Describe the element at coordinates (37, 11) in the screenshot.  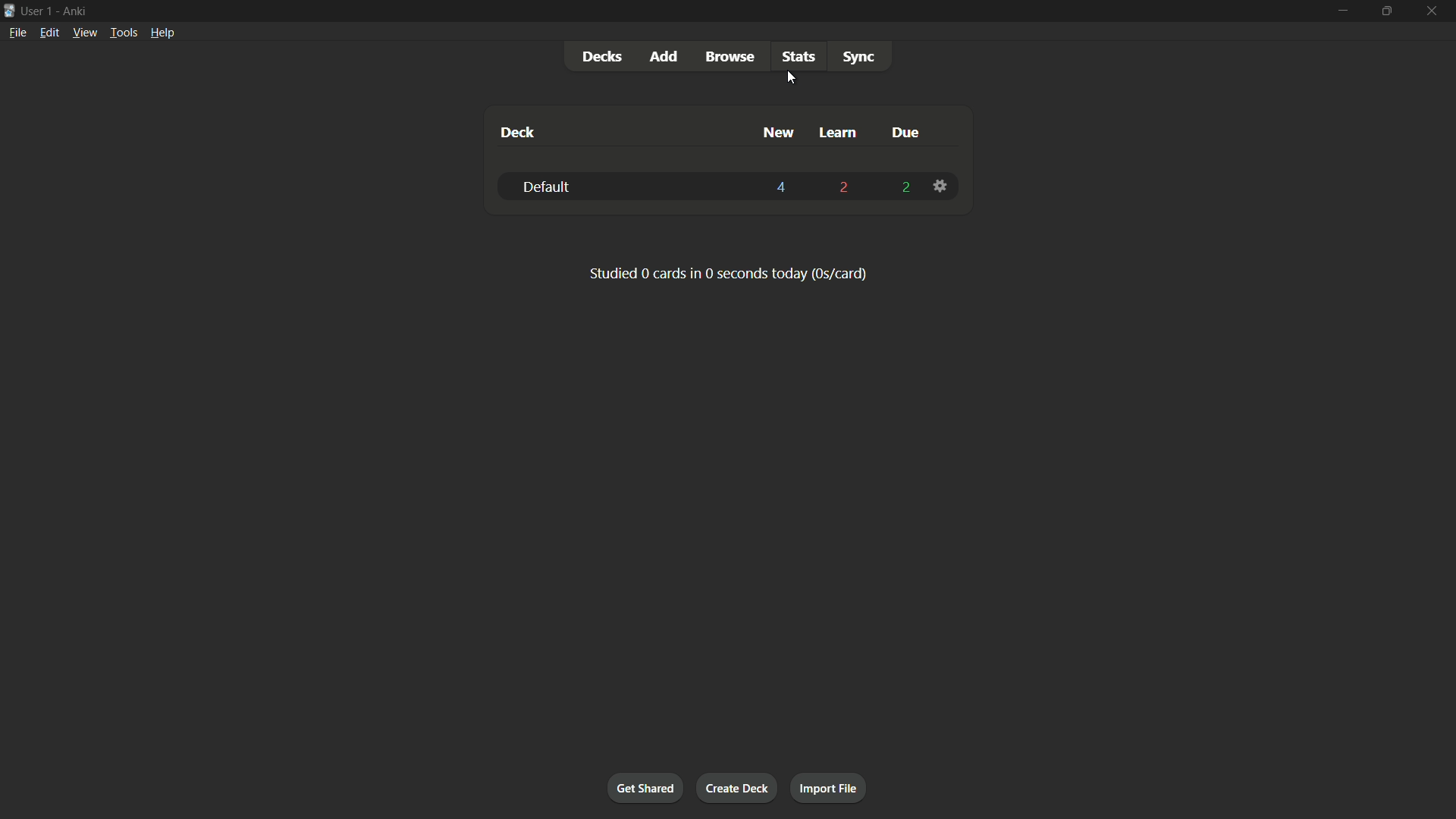
I see `user 1` at that location.